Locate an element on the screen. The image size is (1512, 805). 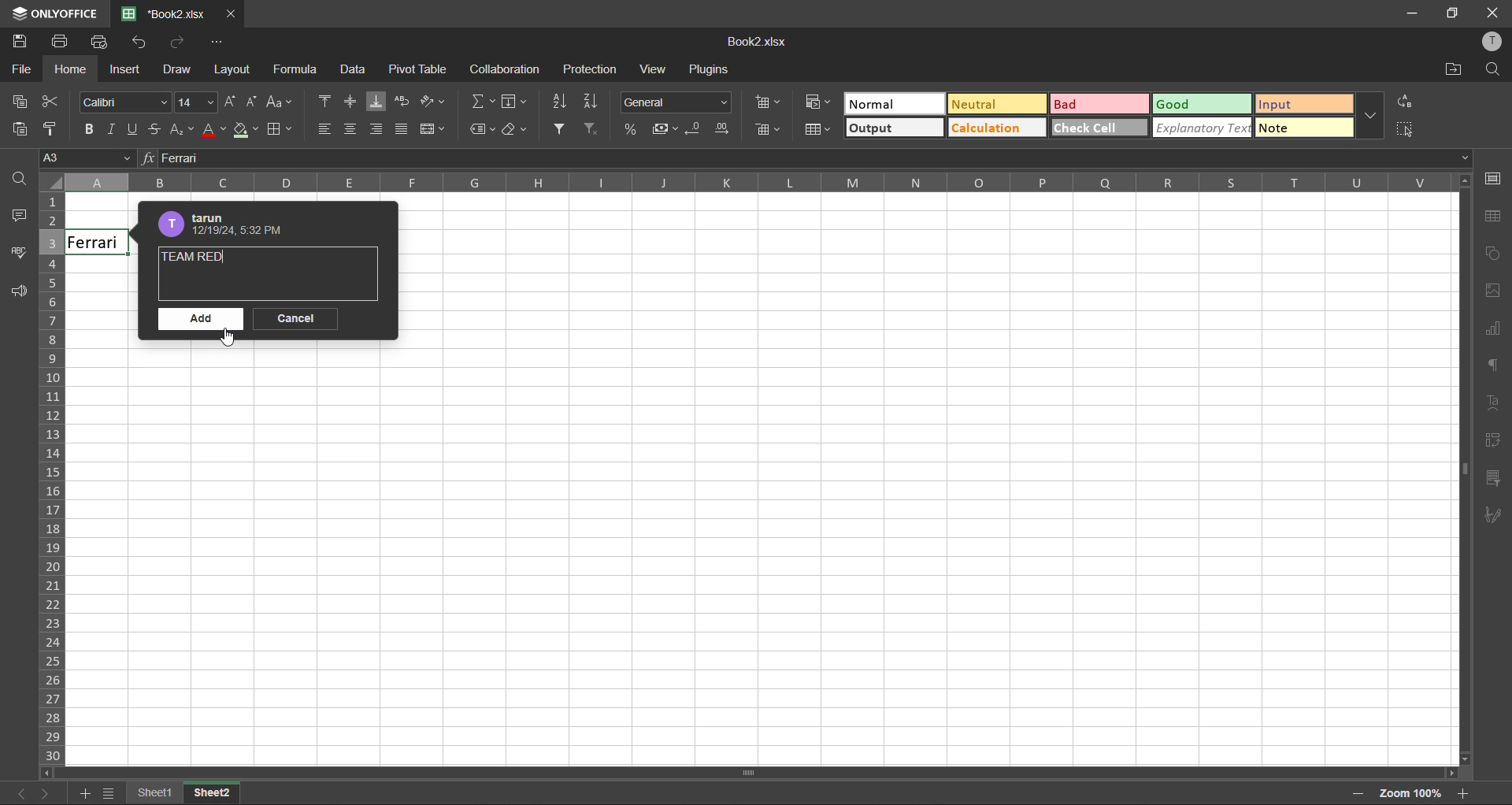
text is located at coordinates (1492, 403).